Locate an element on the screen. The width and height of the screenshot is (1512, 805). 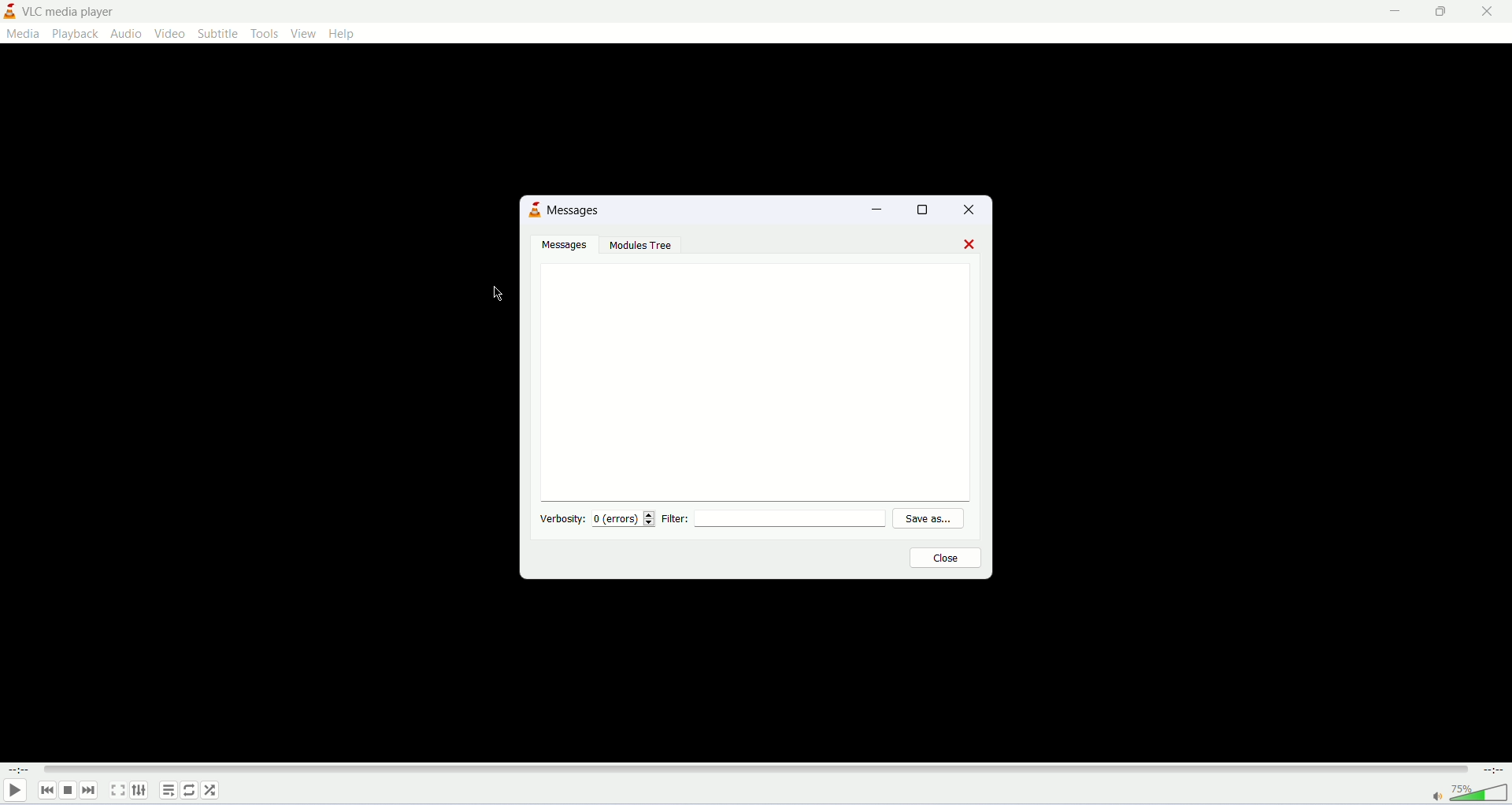
save as is located at coordinates (937, 519).